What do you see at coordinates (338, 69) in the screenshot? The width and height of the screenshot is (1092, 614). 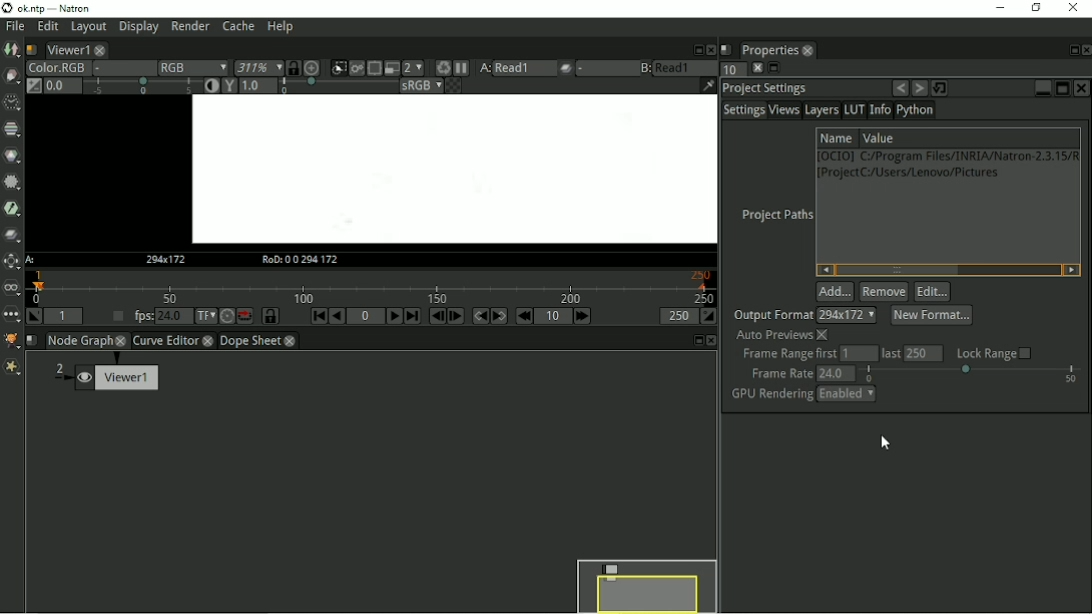 I see `Clip portion of image` at bounding box center [338, 69].